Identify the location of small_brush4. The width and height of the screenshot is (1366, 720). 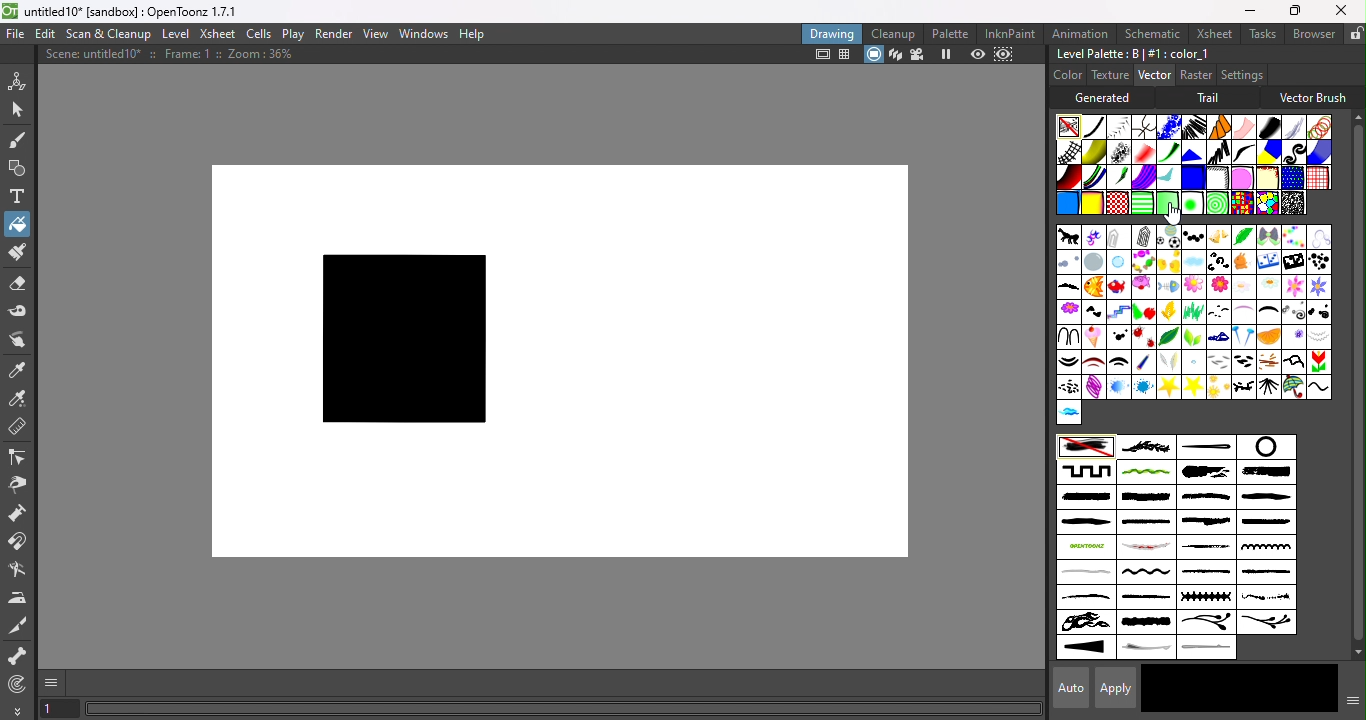
(1146, 597).